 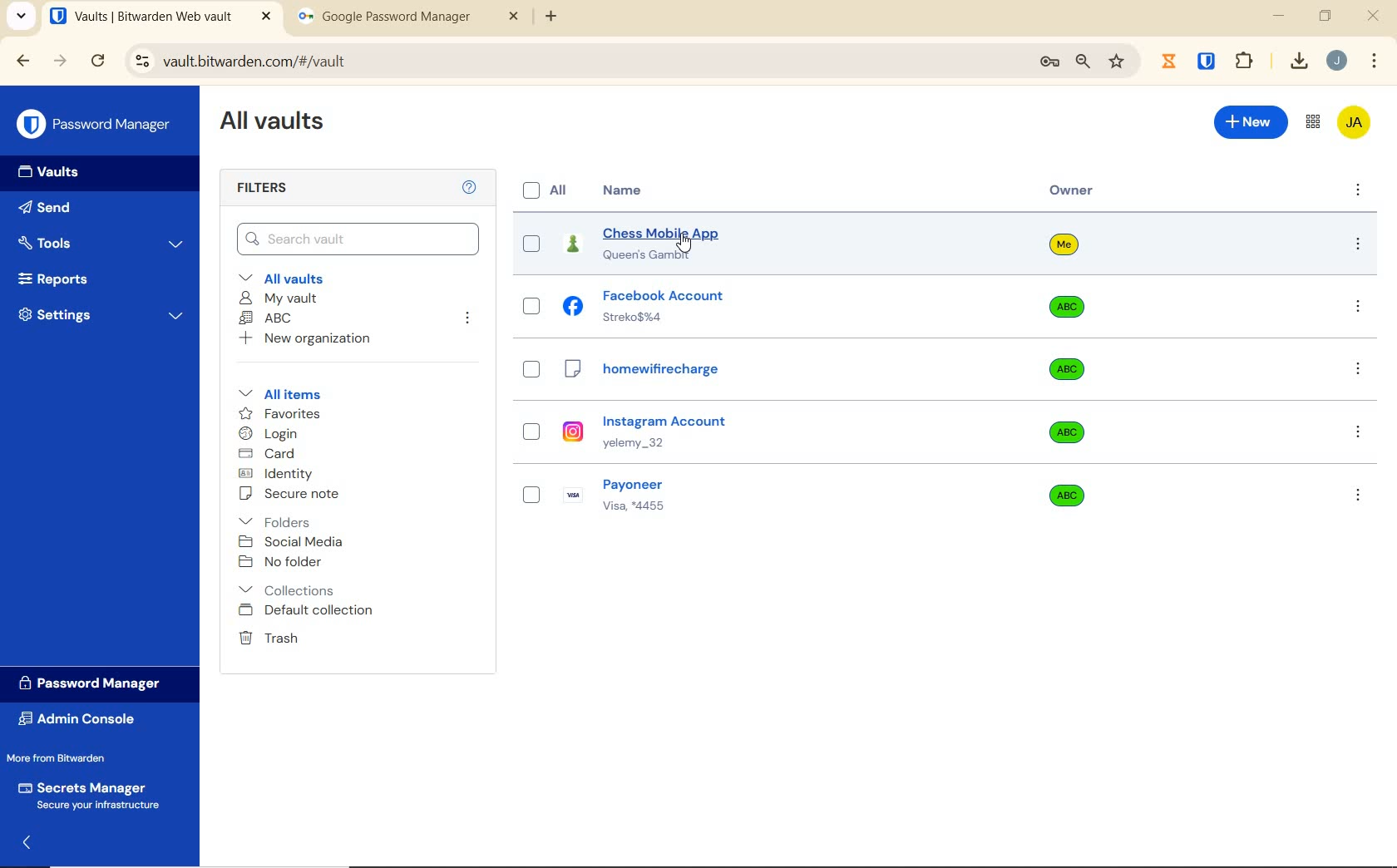 What do you see at coordinates (574, 248) in the screenshot?
I see `chess logo` at bounding box center [574, 248].